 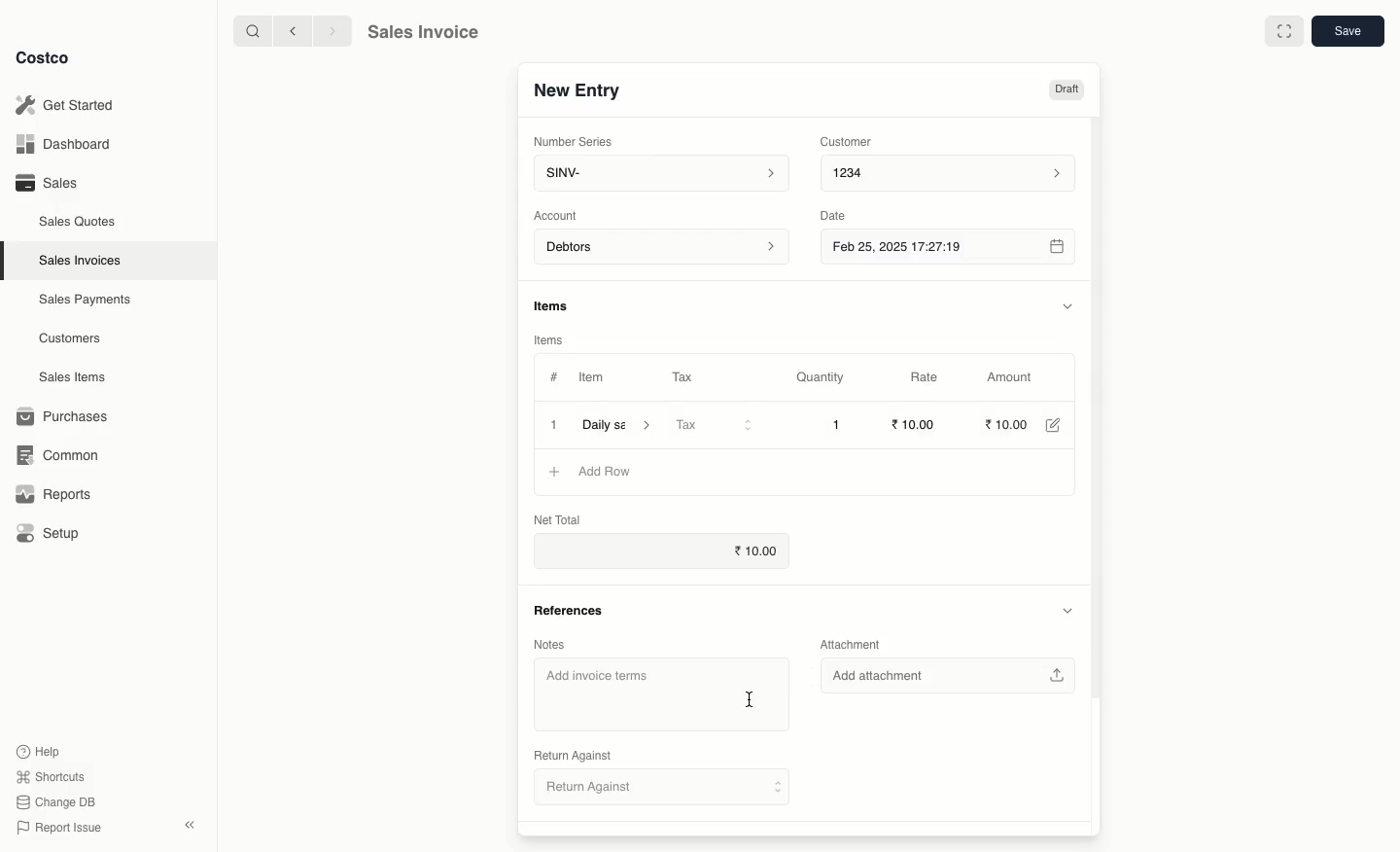 I want to click on Items, so click(x=549, y=337).